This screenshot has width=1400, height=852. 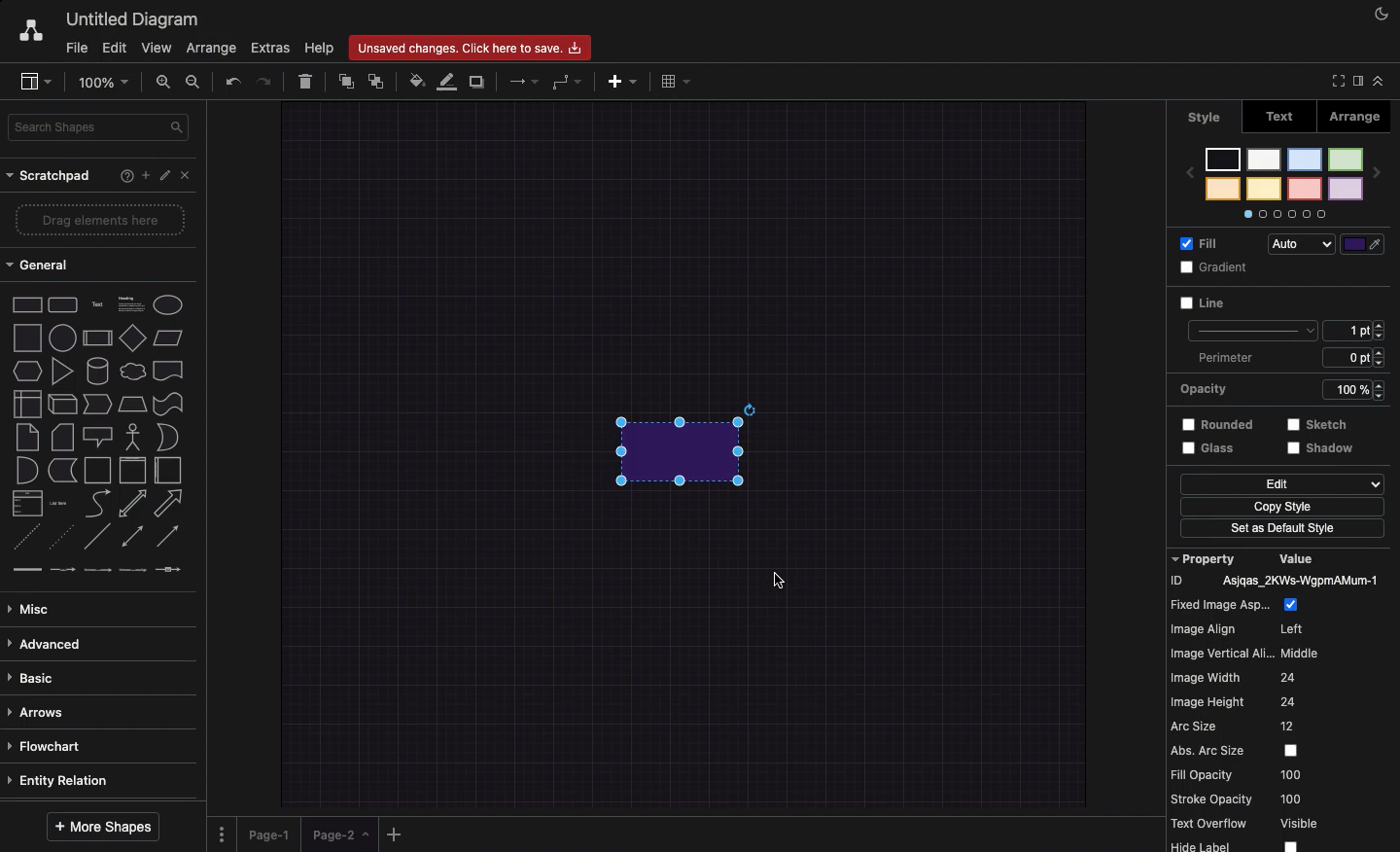 I want to click on Color, so click(x=1364, y=303).